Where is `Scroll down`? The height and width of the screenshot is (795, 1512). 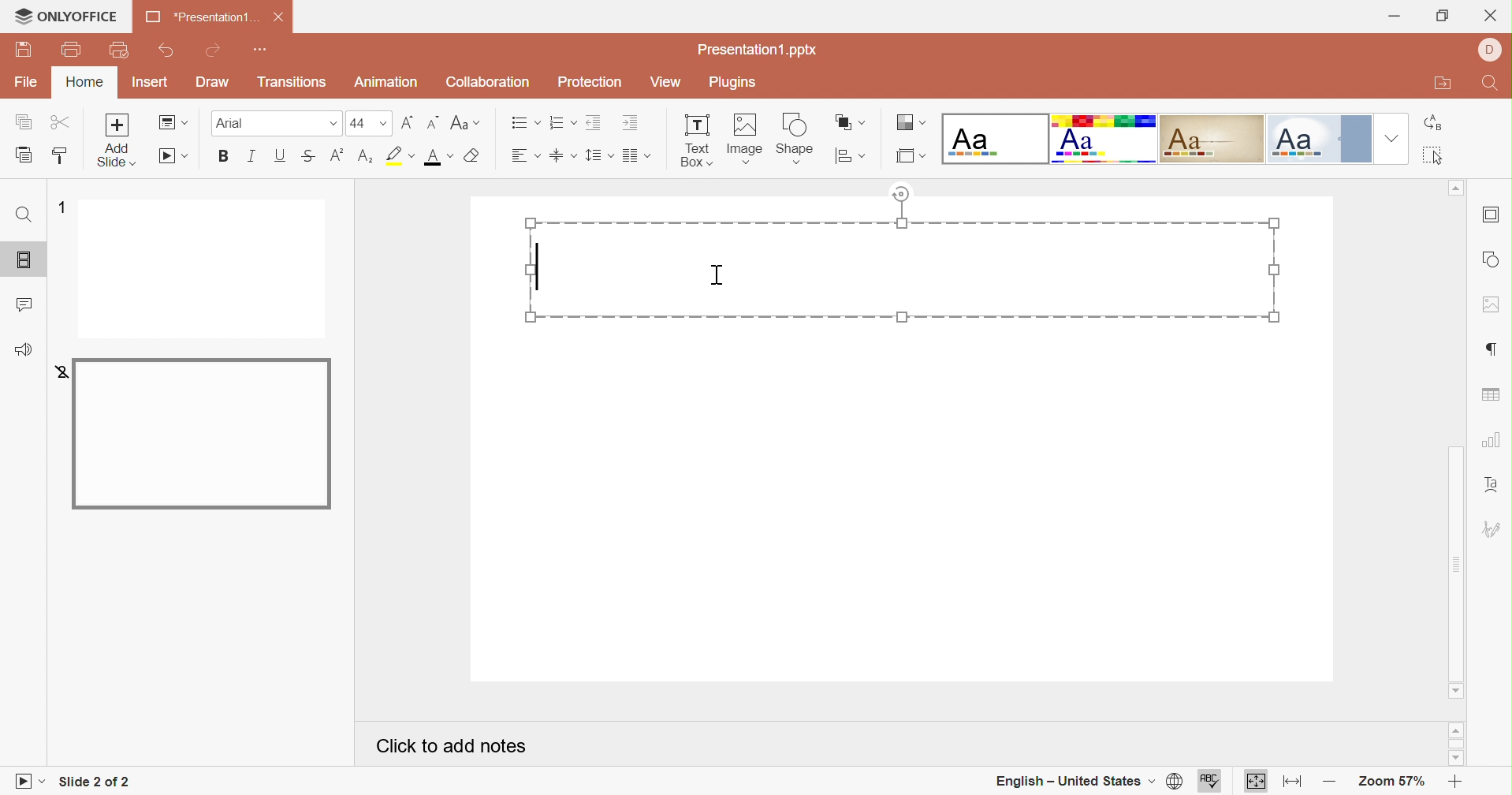
Scroll down is located at coordinates (1455, 757).